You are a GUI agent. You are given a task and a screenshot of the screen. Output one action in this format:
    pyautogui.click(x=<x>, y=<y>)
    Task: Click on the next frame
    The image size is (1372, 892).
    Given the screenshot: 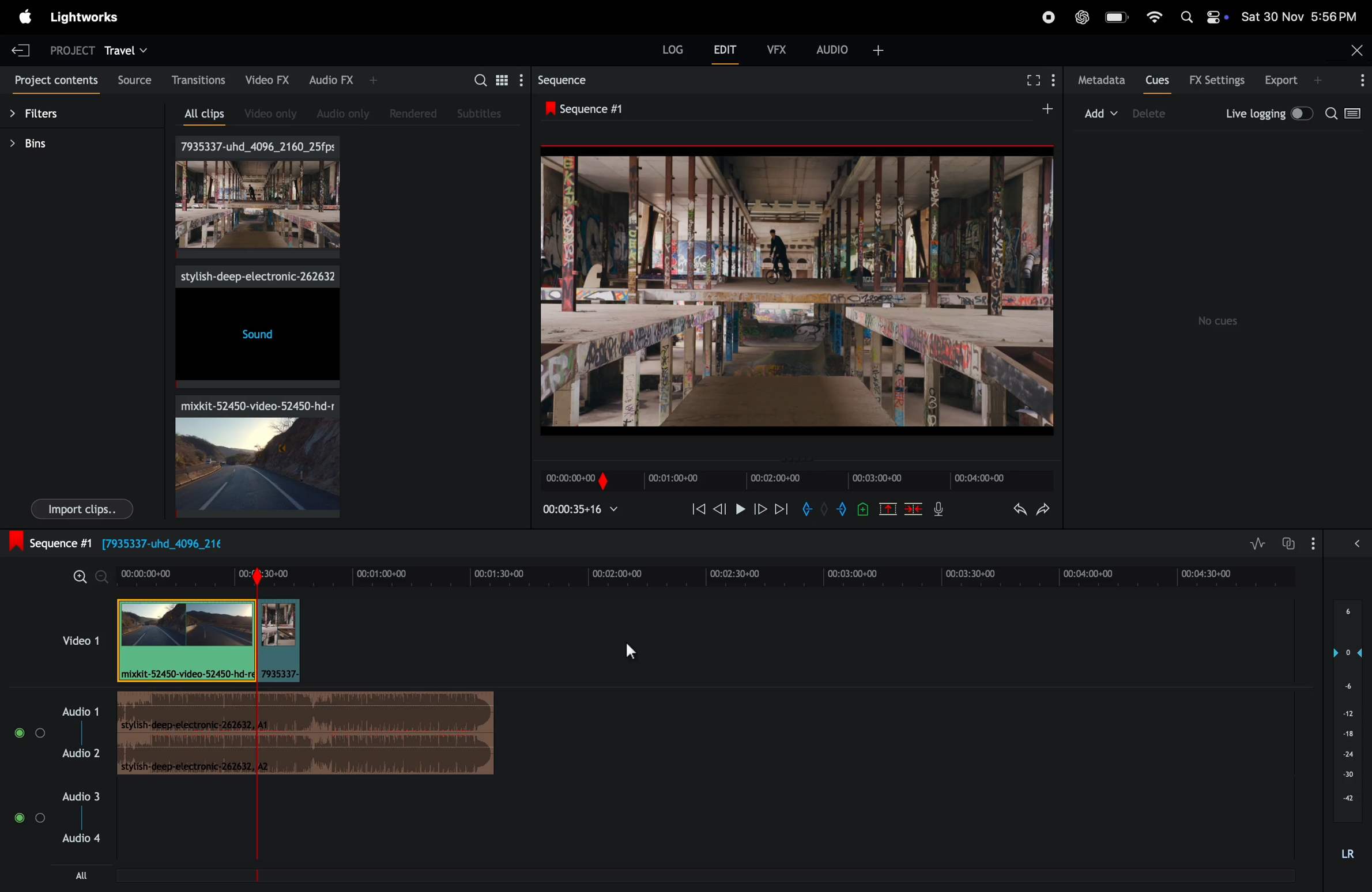 What is the action you would take?
    pyautogui.click(x=782, y=512)
    